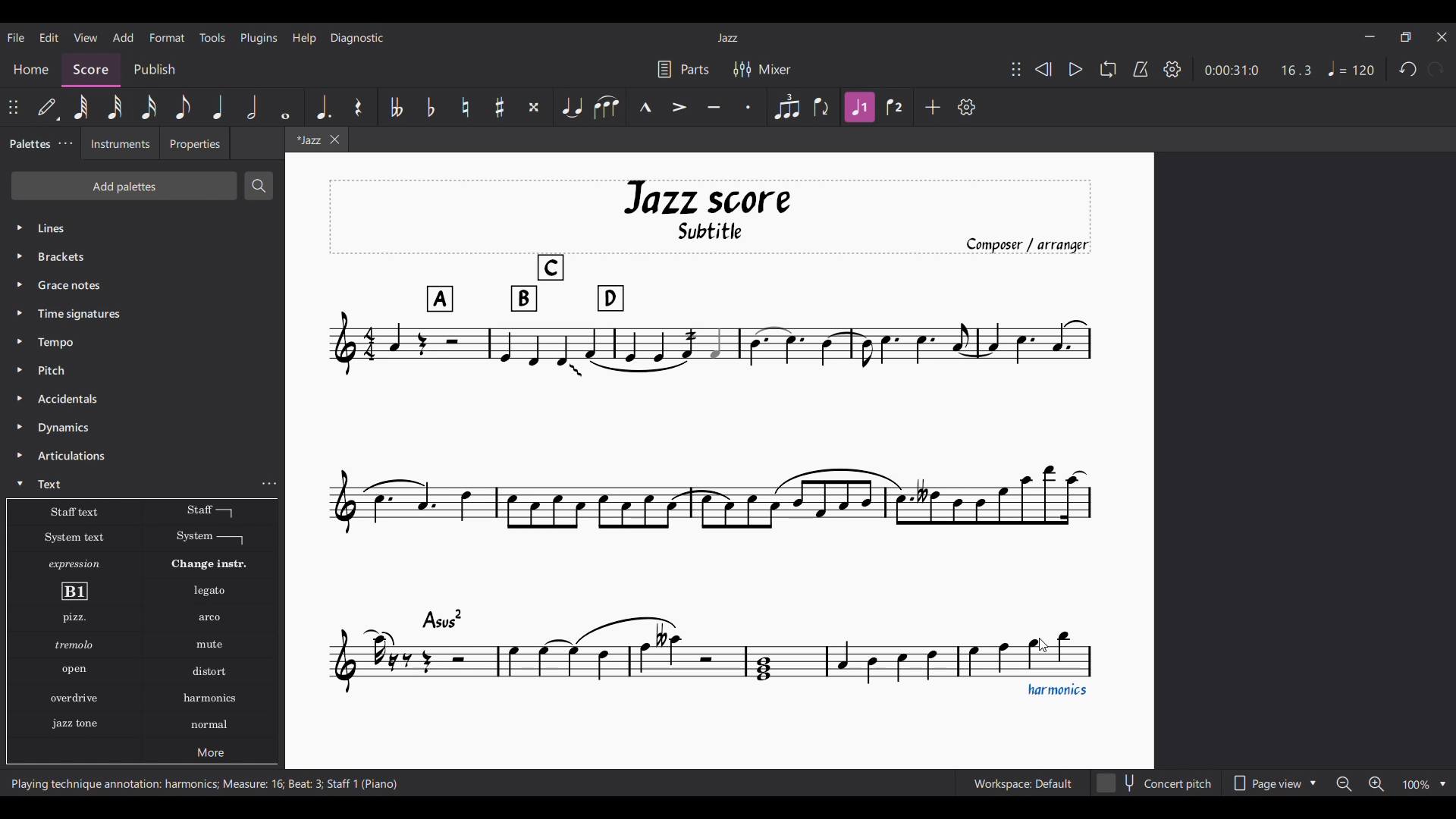  Describe the element at coordinates (211, 618) in the screenshot. I see `Arco` at that location.